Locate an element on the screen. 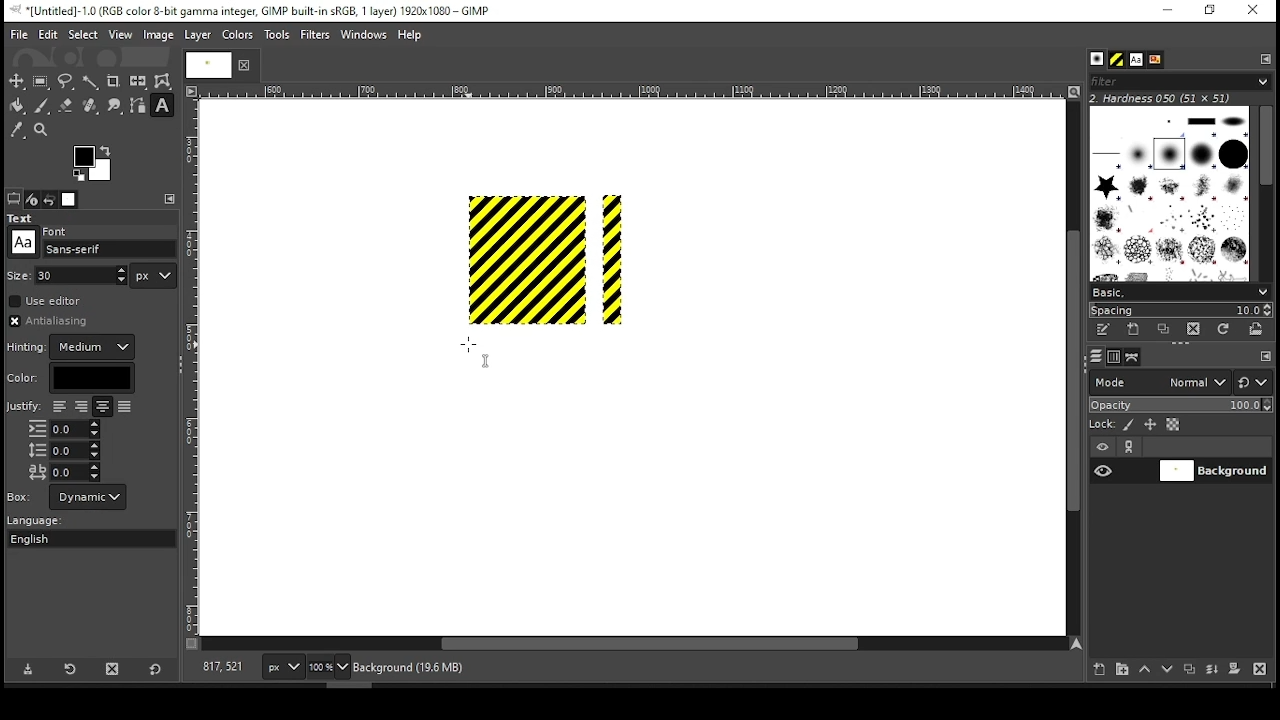   is located at coordinates (23, 408).